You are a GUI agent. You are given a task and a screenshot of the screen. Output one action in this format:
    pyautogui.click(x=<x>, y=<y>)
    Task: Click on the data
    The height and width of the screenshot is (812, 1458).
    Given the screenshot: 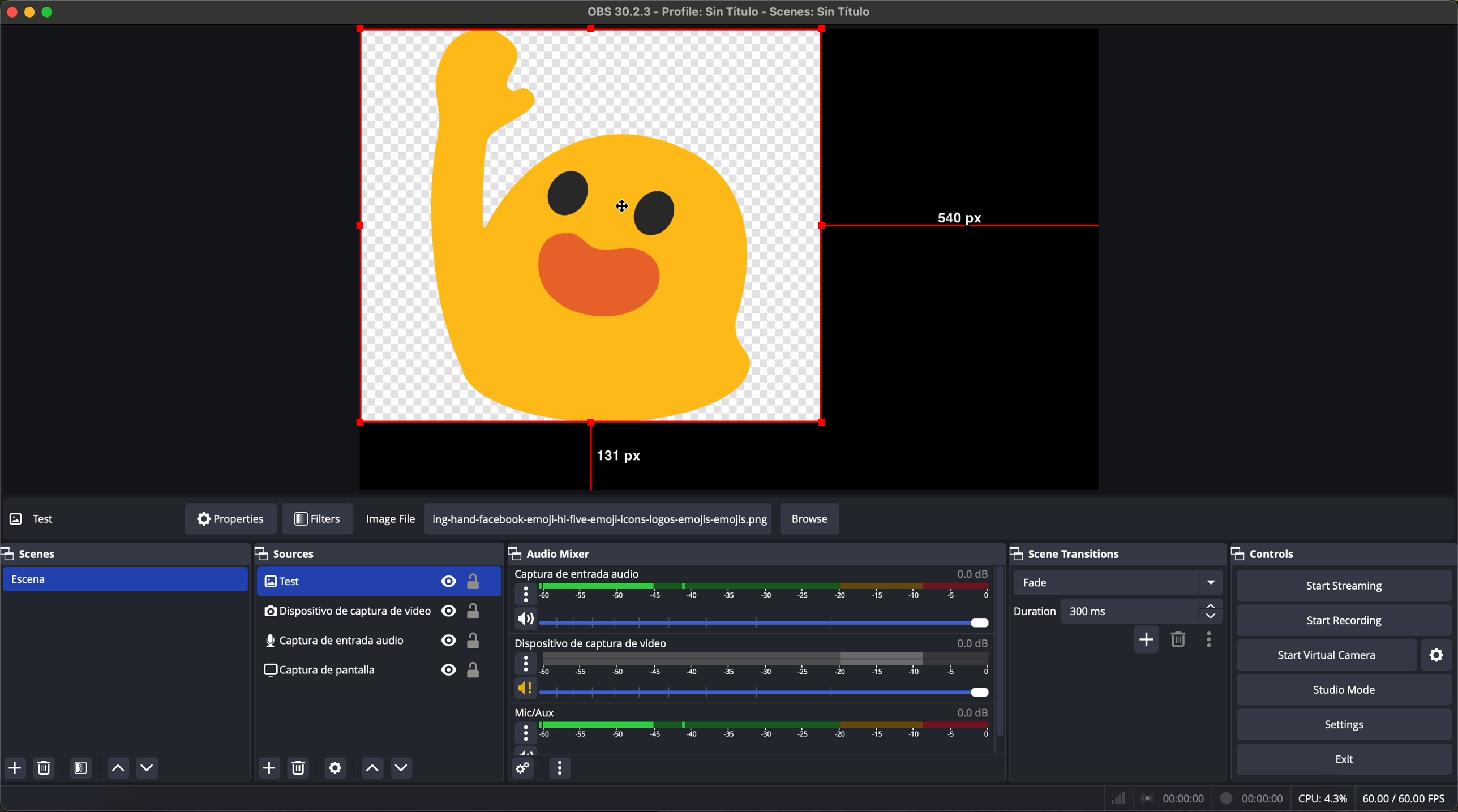 What is the action you would take?
    pyautogui.click(x=1281, y=798)
    